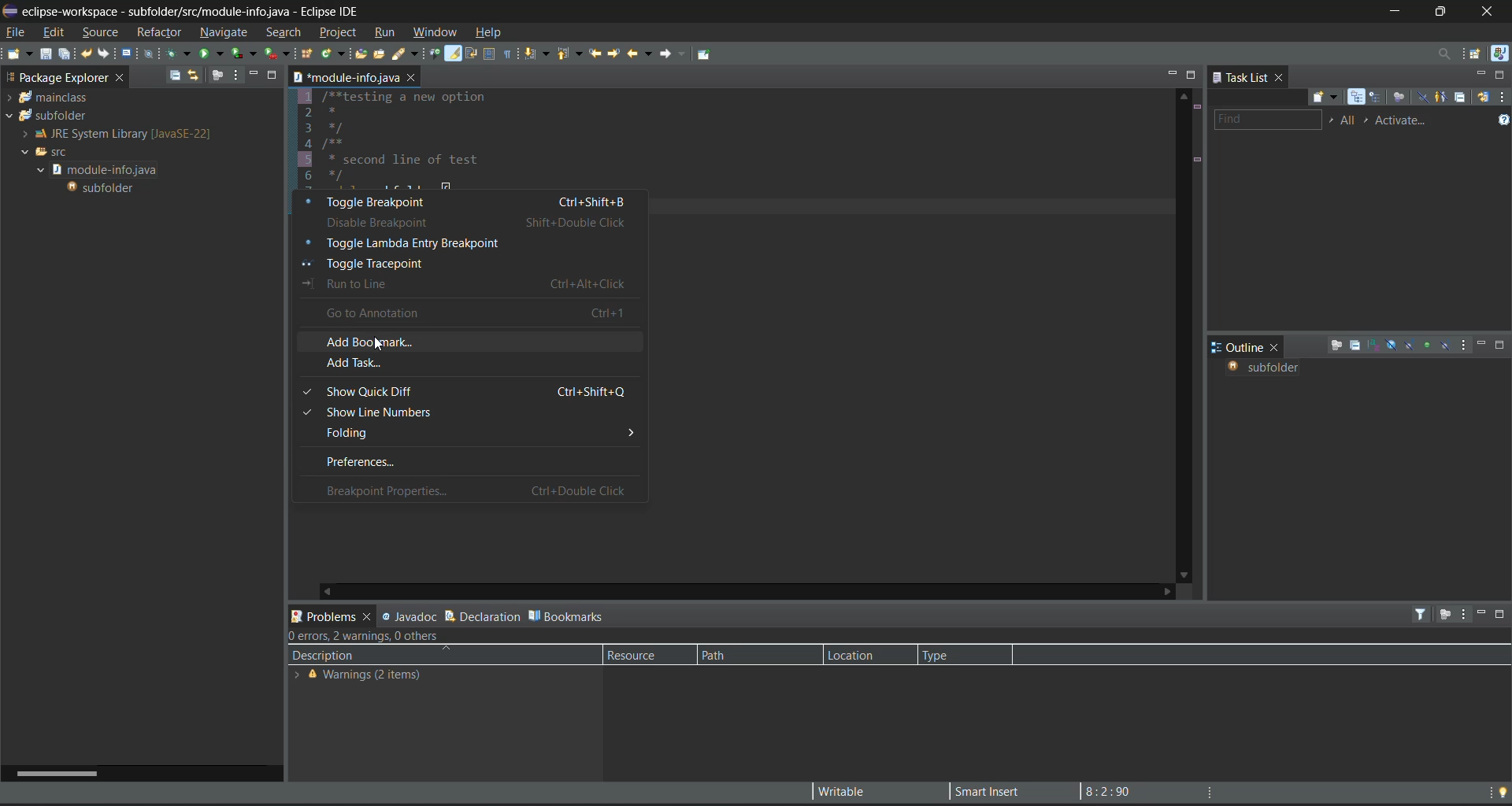  I want to click on new java package, so click(308, 56).